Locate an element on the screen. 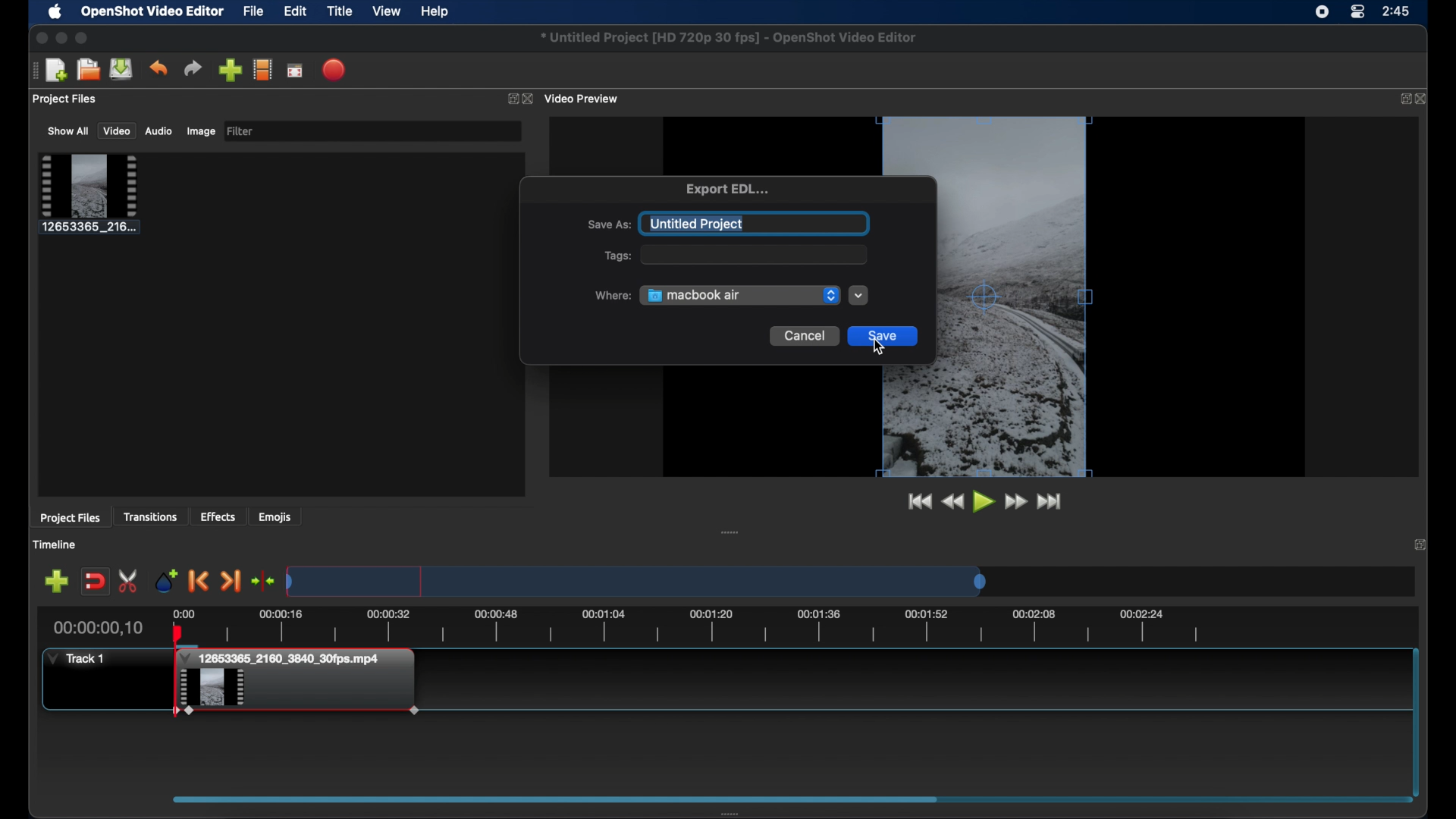  clip is located at coordinates (89, 194).